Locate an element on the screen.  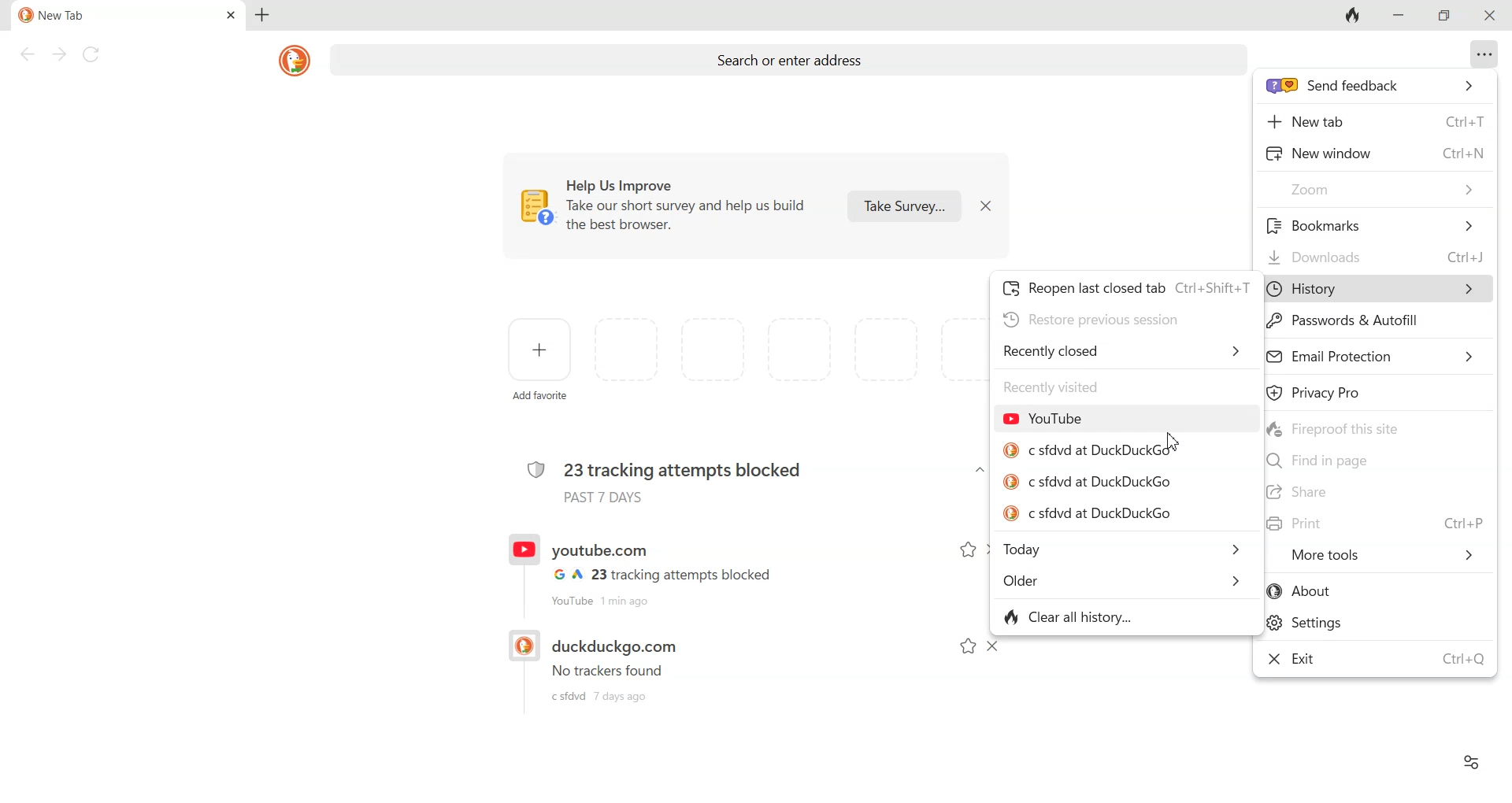
Clear all history is located at coordinates (1072, 616).